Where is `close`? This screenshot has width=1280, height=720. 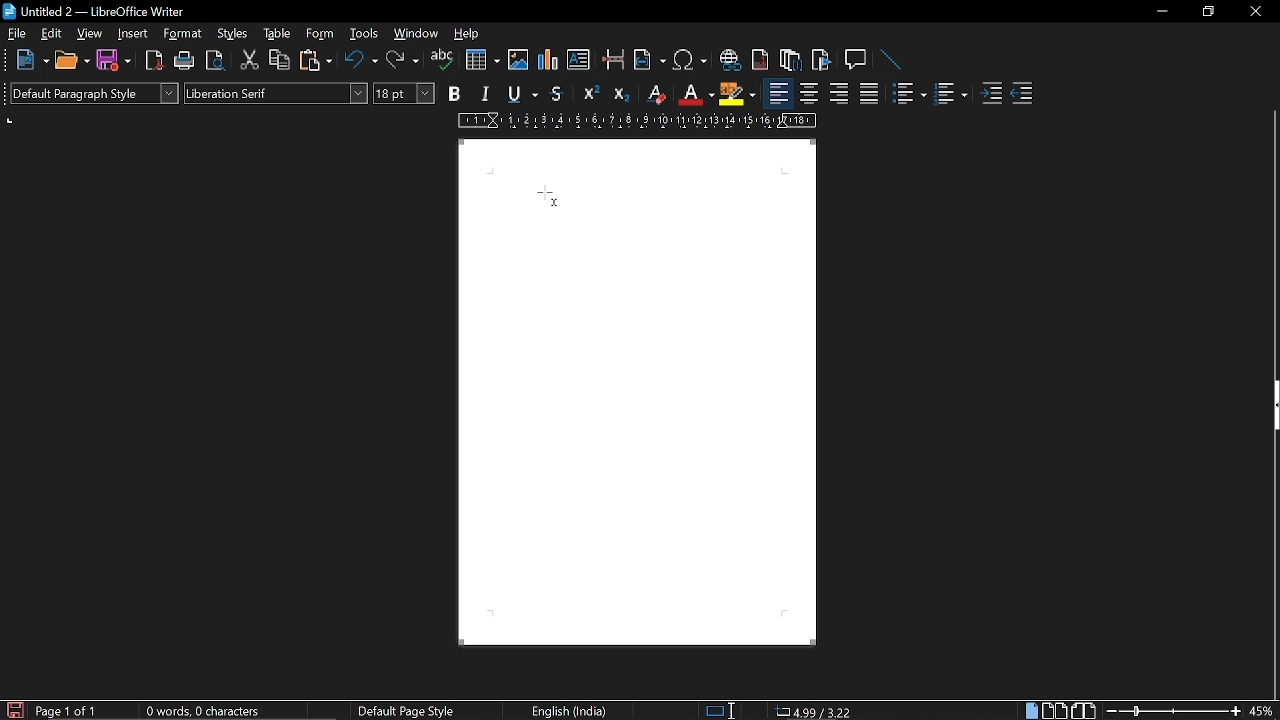
close is located at coordinates (1254, 13).